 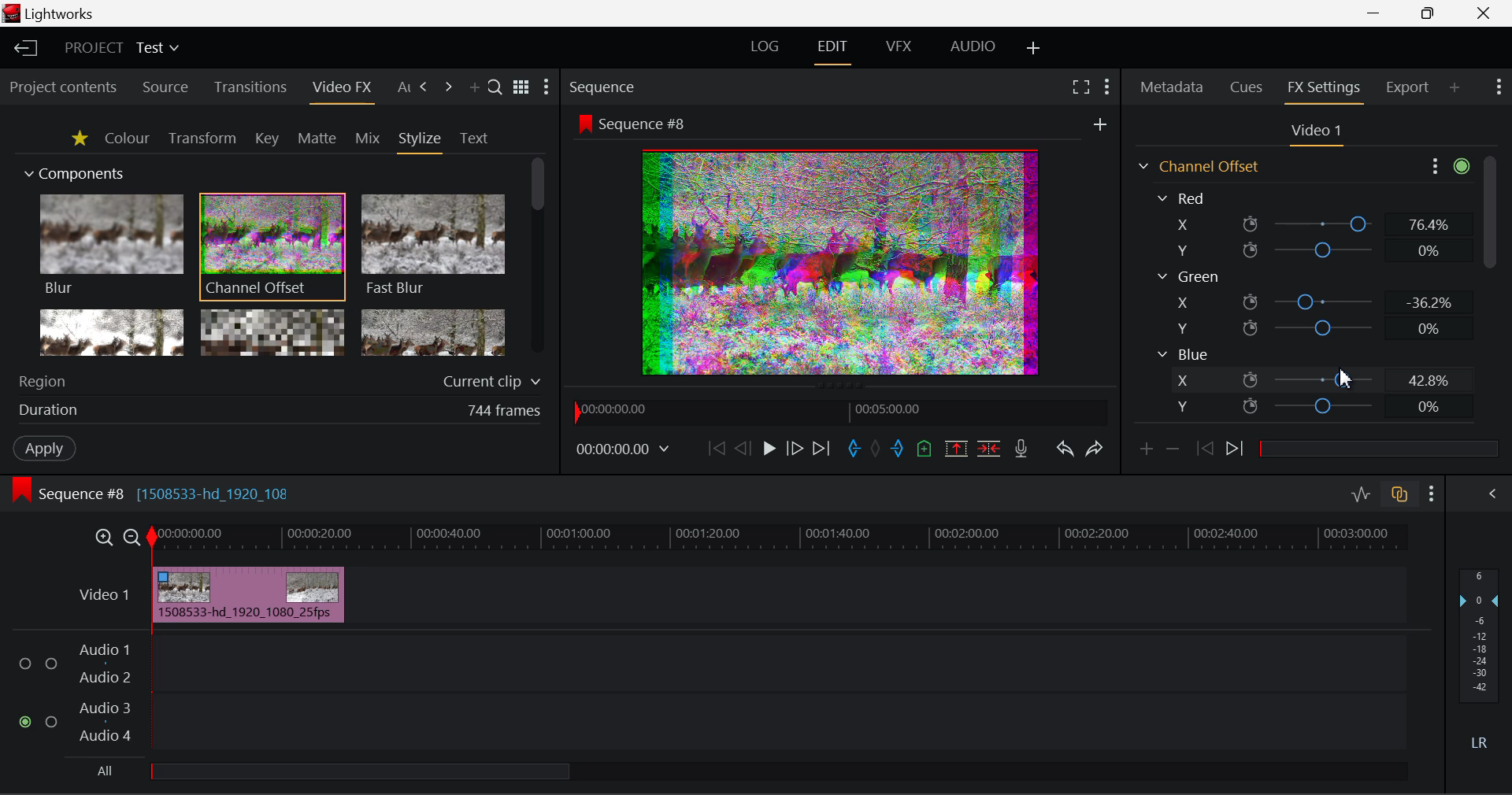 I want to click on Edit Layout Open, so click(x=832, y=52).